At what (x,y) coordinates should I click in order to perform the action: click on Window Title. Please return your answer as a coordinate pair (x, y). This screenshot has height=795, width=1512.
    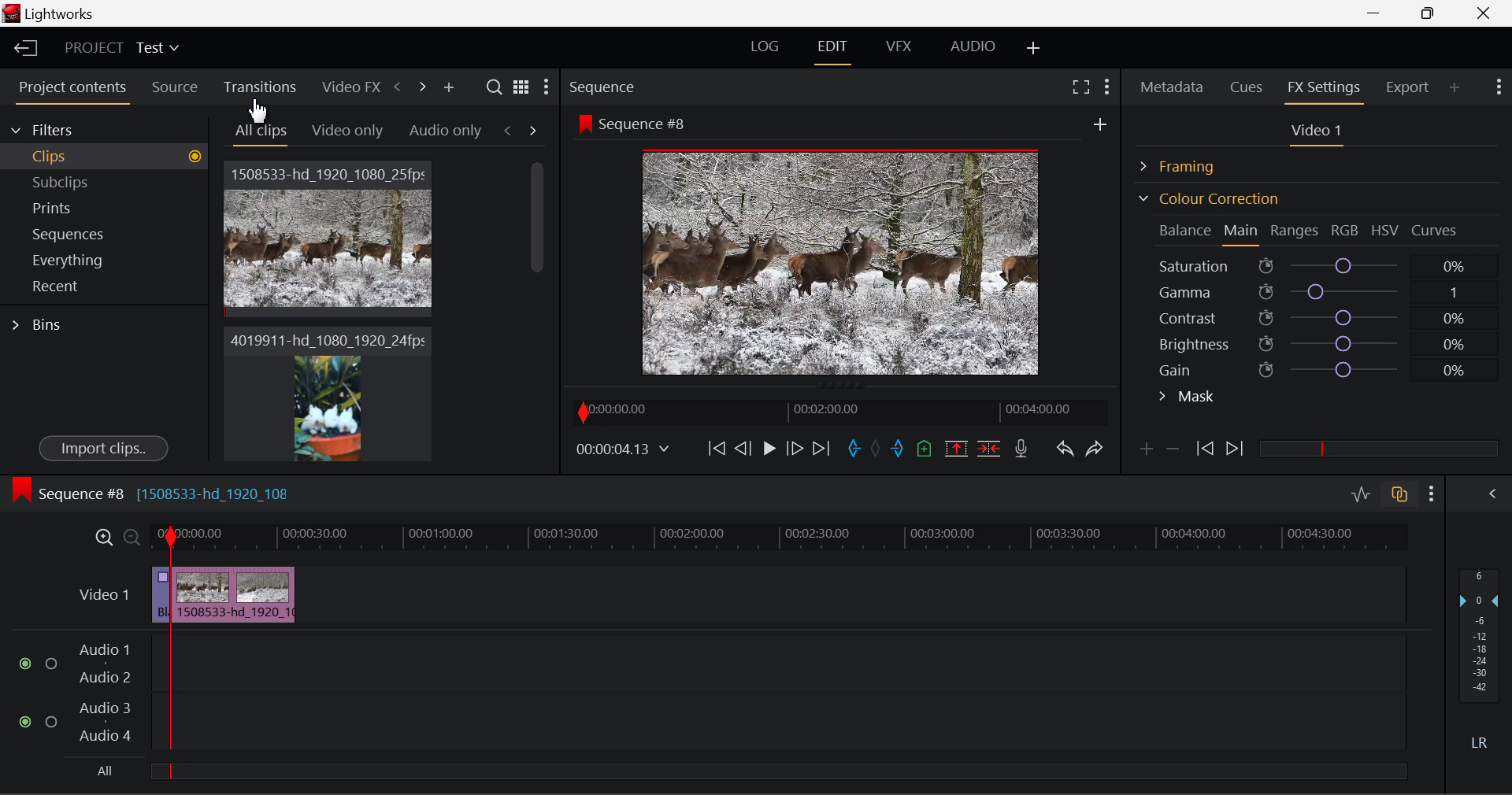
    Looking at the image, I should click on (53, 15).